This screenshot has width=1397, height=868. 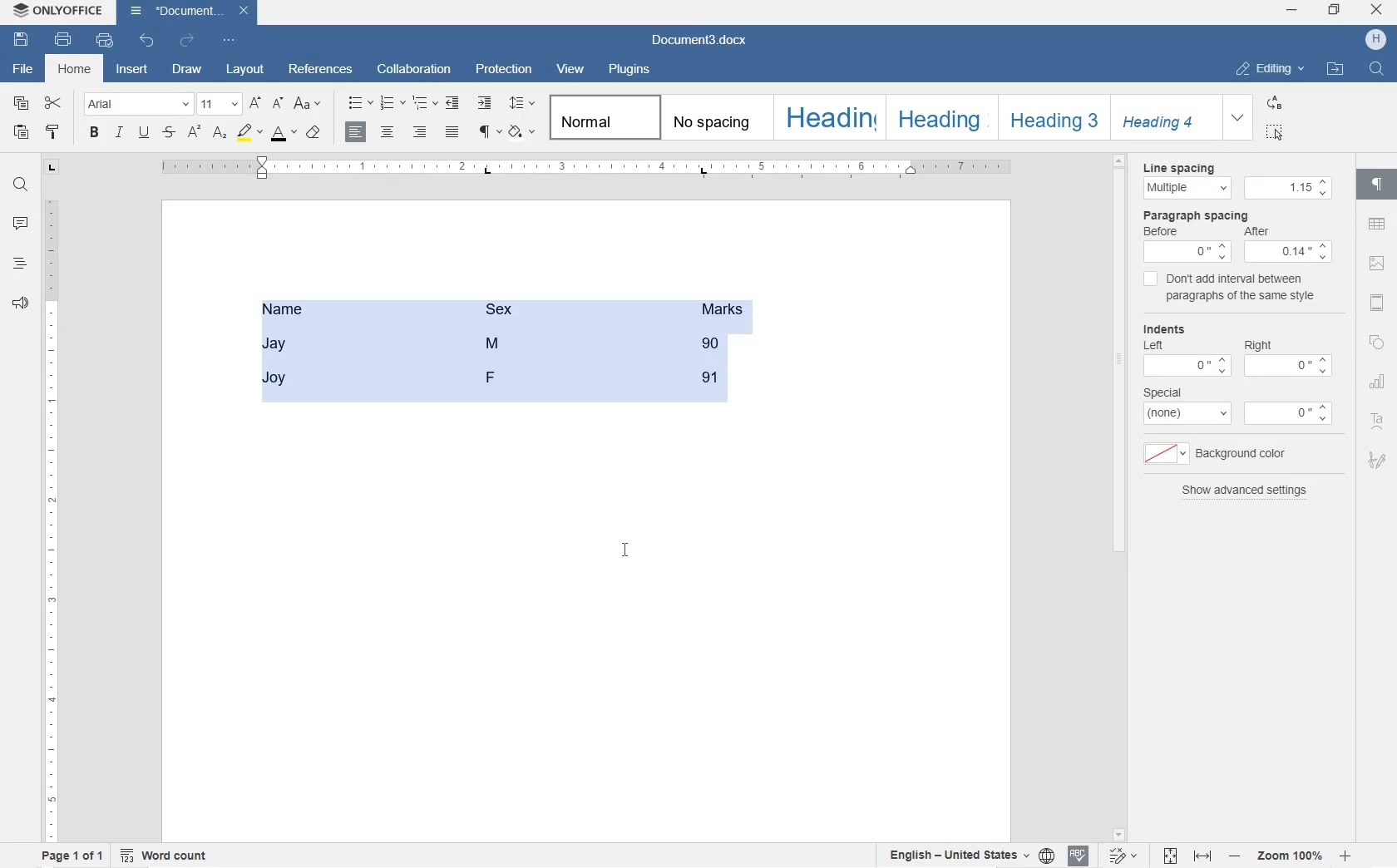 What do you see at coordinates (1289, 413) in the screenshot?
I see `0"` at bounding box center [1289, 413].